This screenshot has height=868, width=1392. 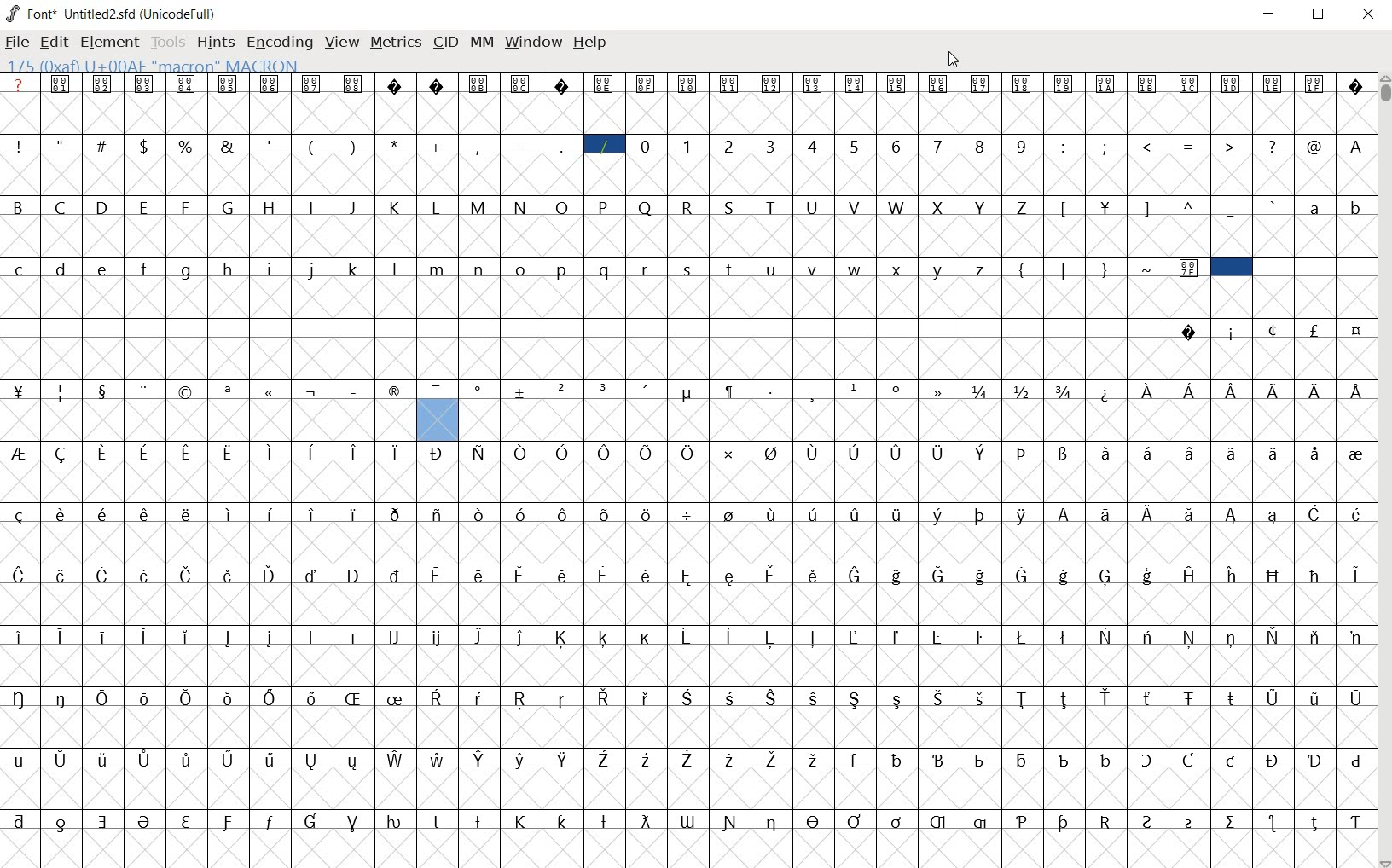 What do you see at coordinates (270, 268) in the screenshot?
I see `i` at bounding box center [270, 268].